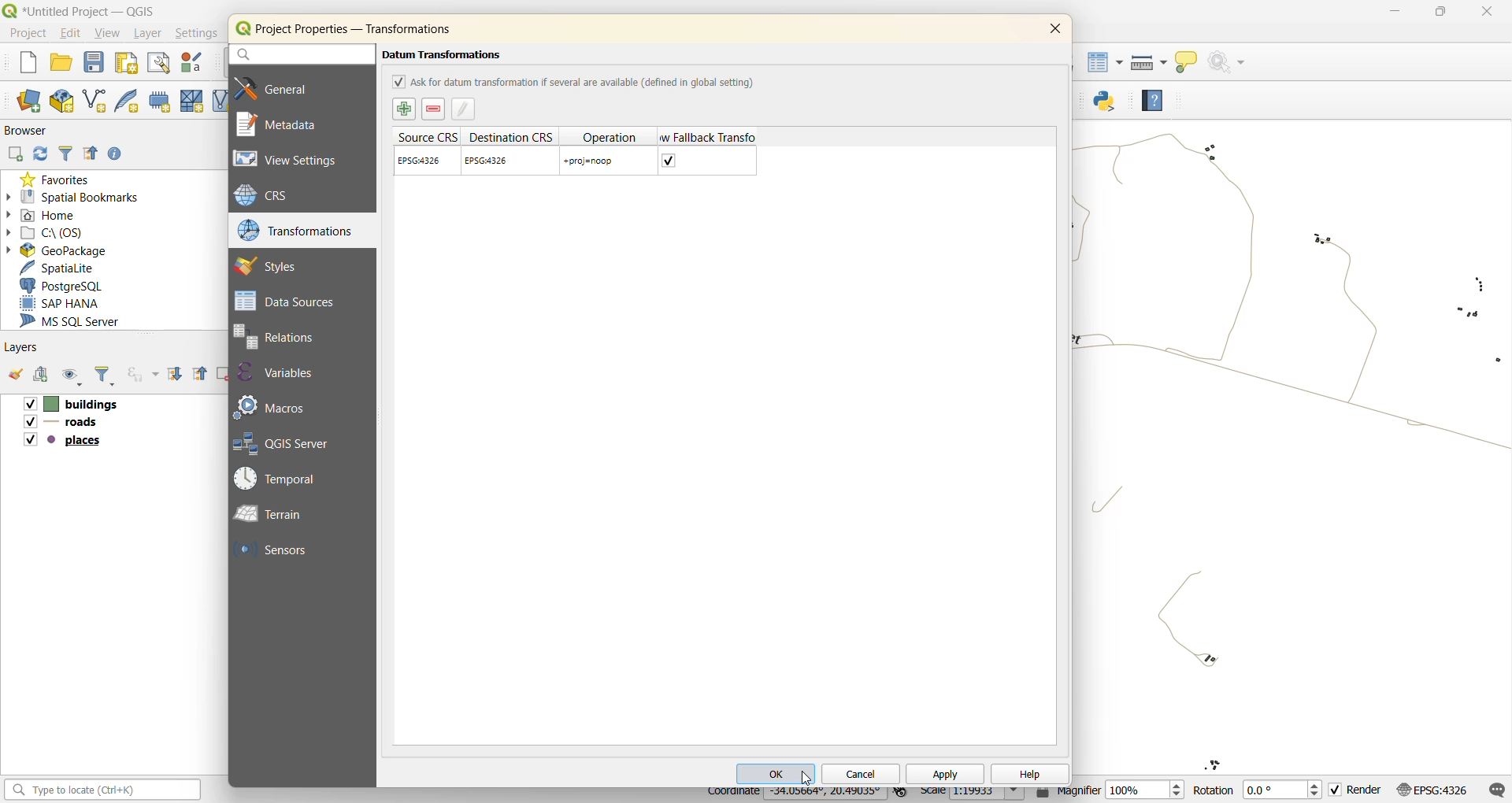  Describe the element at coordinates (63, 267) in the screenshot. I see `spatialite` at that location.